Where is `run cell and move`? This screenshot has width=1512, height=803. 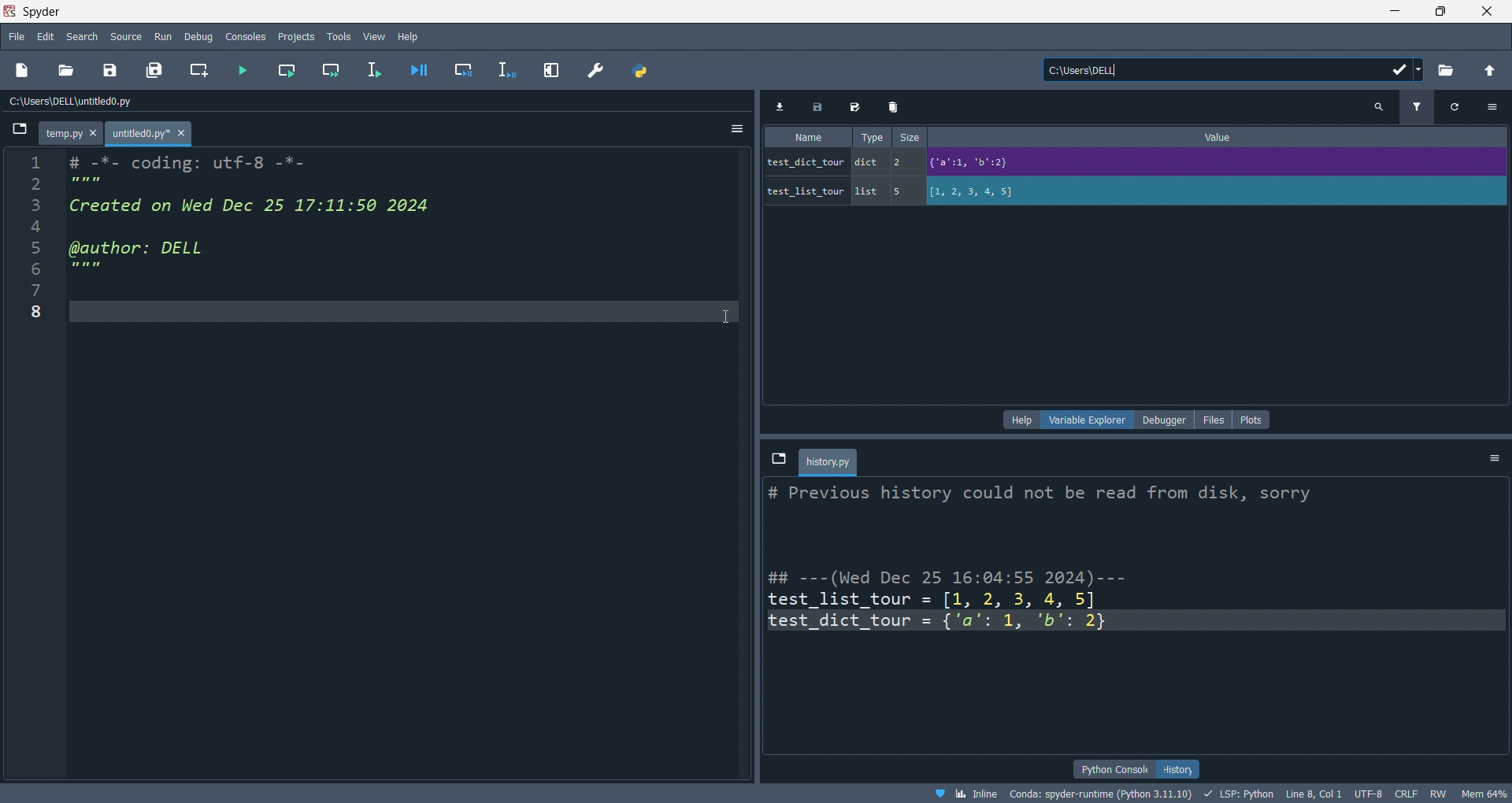 run cell and move is located at coordinates (335, 71).